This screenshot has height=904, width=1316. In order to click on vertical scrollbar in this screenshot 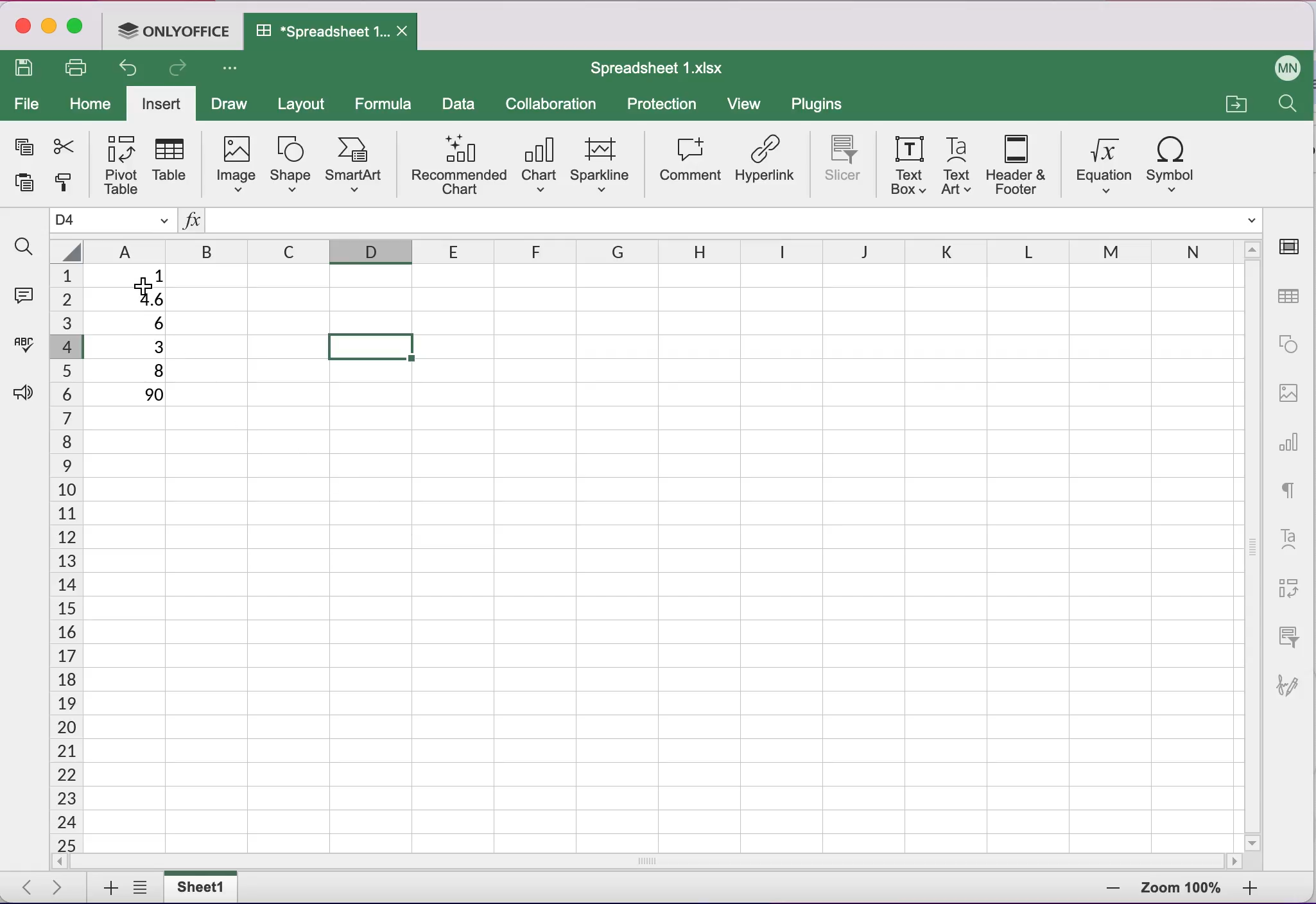, I will do `click(1251, 557)`.